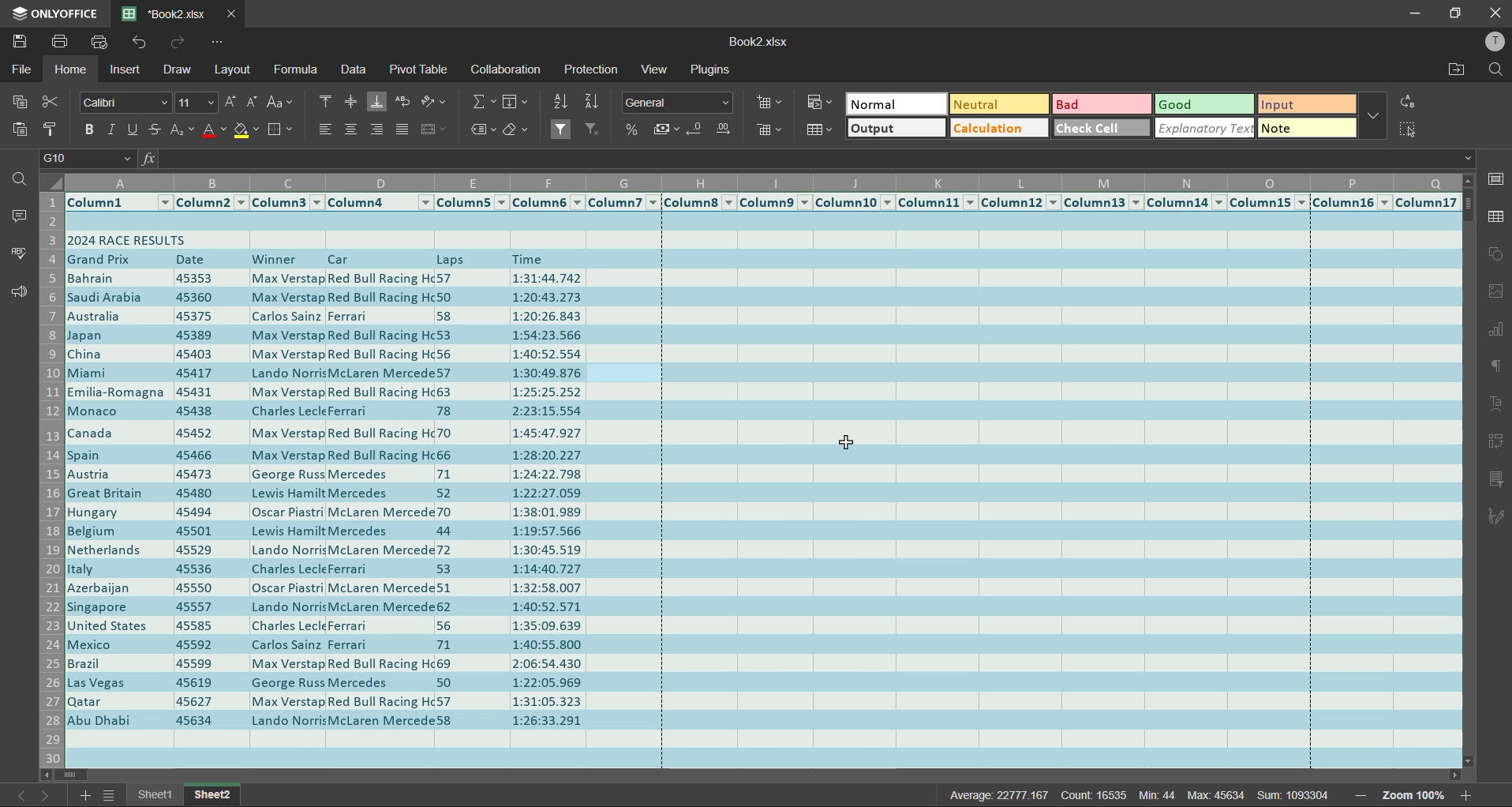  What do you see at coordinates (1489, 41) in the screenshot?
I see `profile` at bounding box center [1489, 41].